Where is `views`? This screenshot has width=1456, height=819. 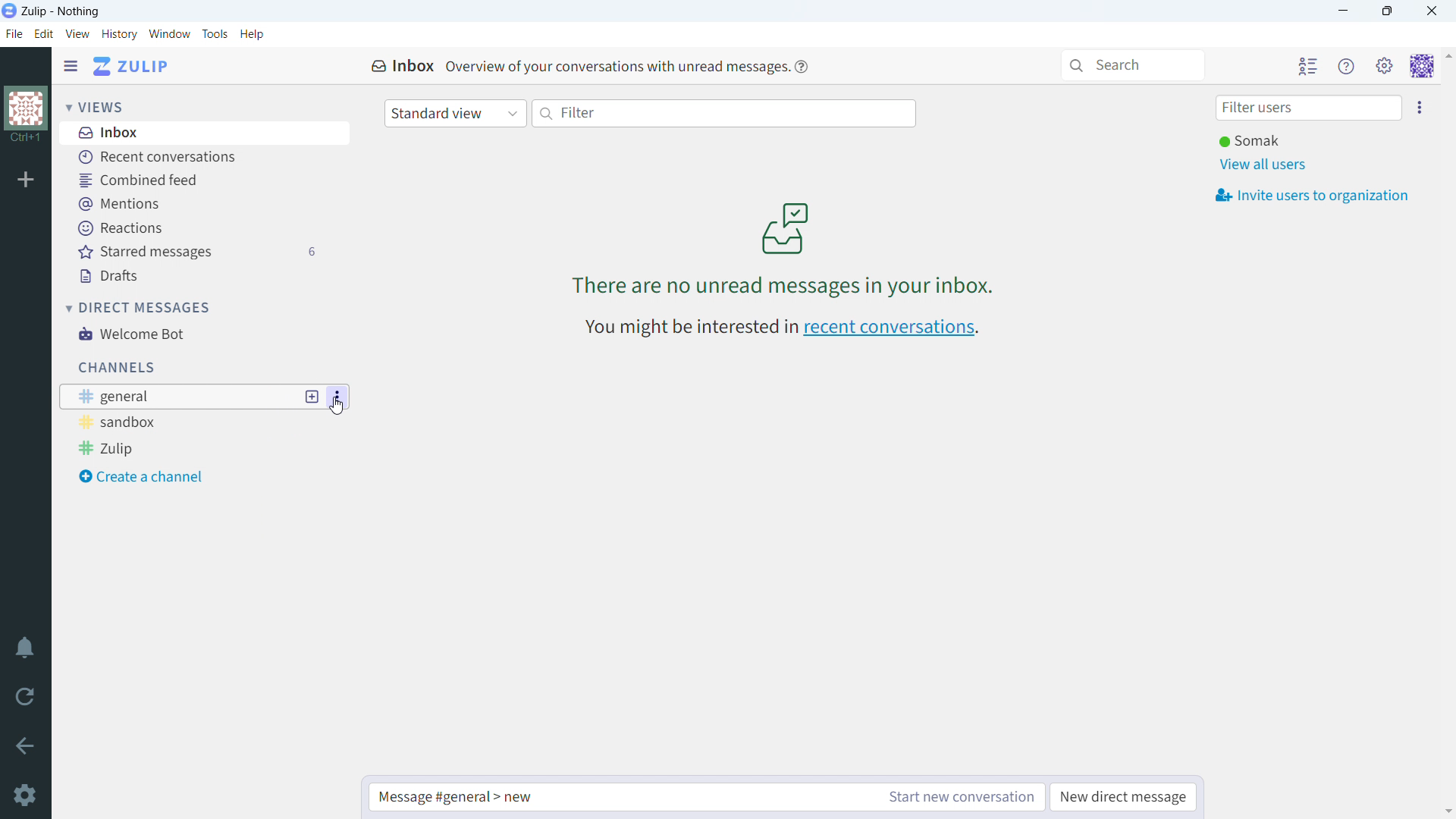 views is located at coordinates (95, 106).